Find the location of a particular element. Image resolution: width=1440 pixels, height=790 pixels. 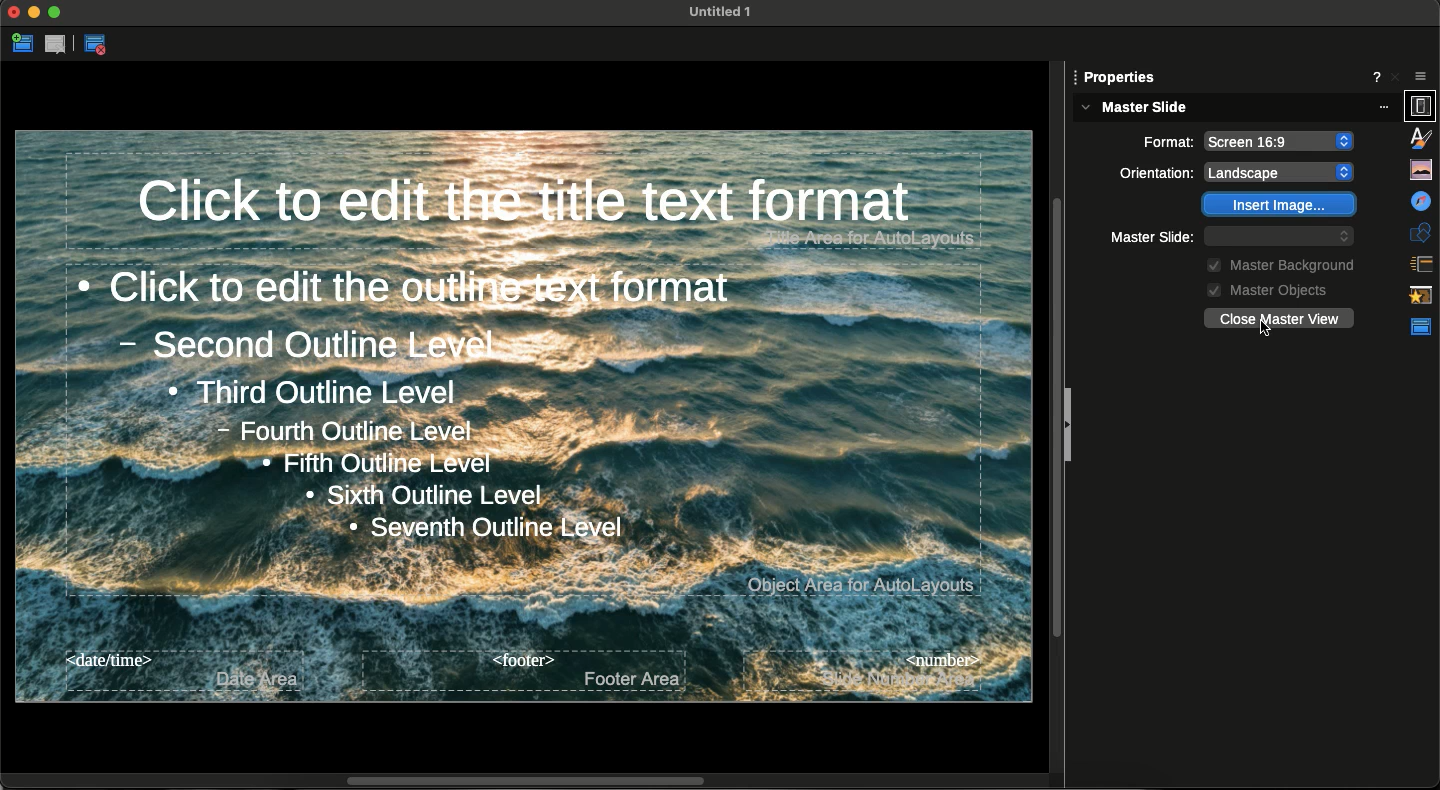

date/time  is located at coordinates (178, 671).